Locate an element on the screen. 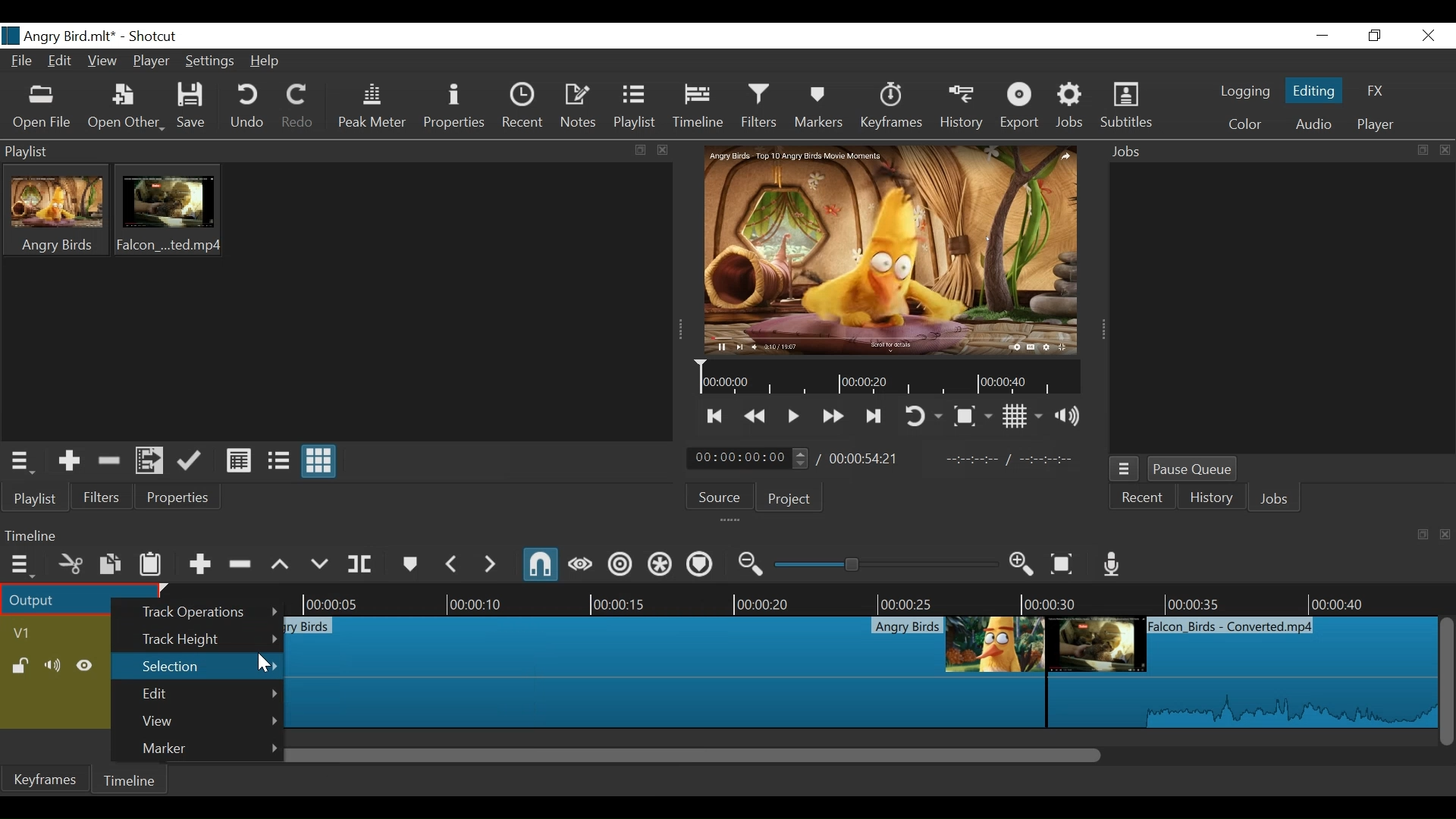 The height and width of the screenshot is (819, 1456). Timeline is located at coordinates (877, 598).